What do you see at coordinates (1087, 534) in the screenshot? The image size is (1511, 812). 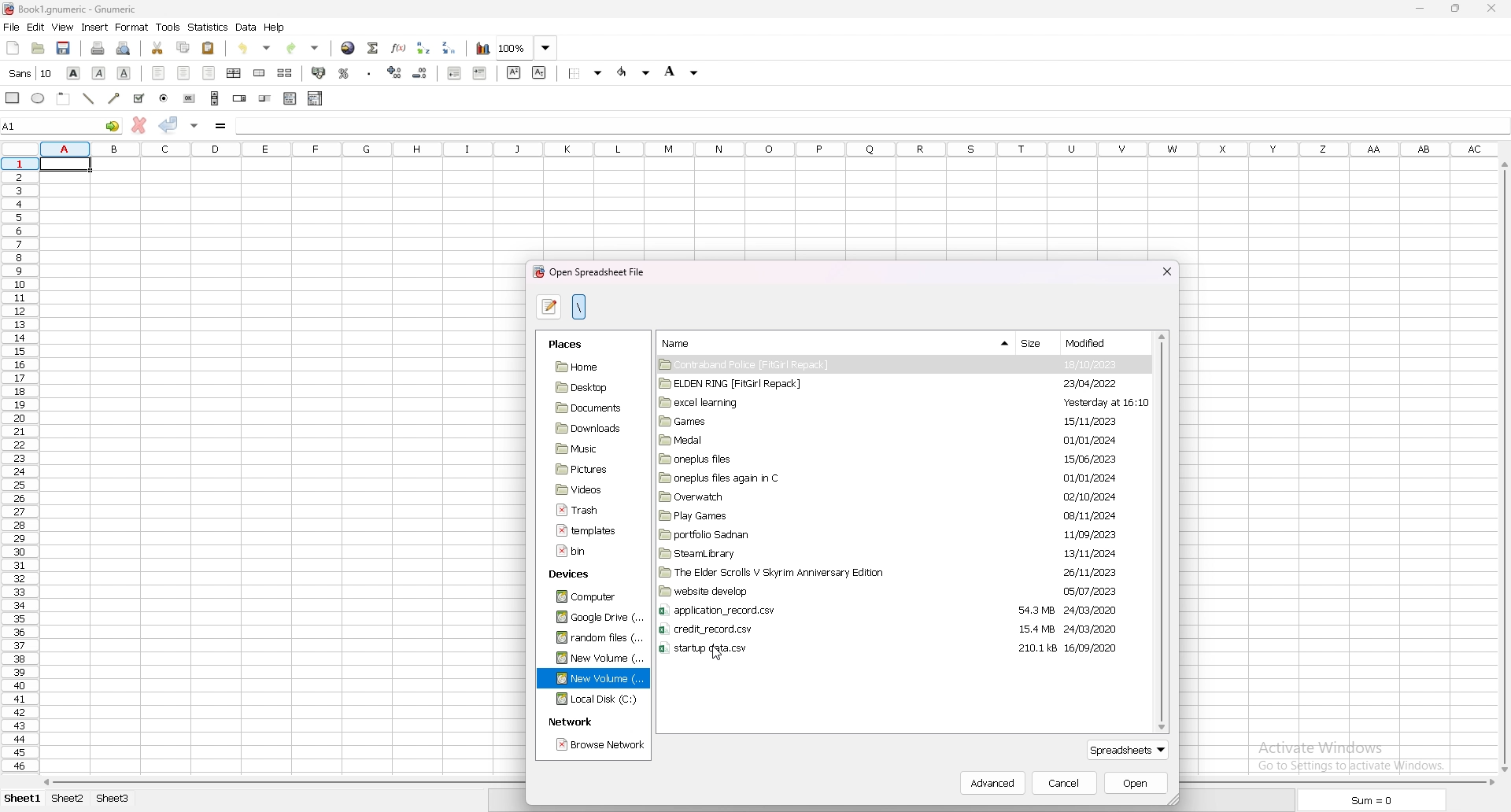 I see `11/09/2023` at bounding box center [1087, 534].